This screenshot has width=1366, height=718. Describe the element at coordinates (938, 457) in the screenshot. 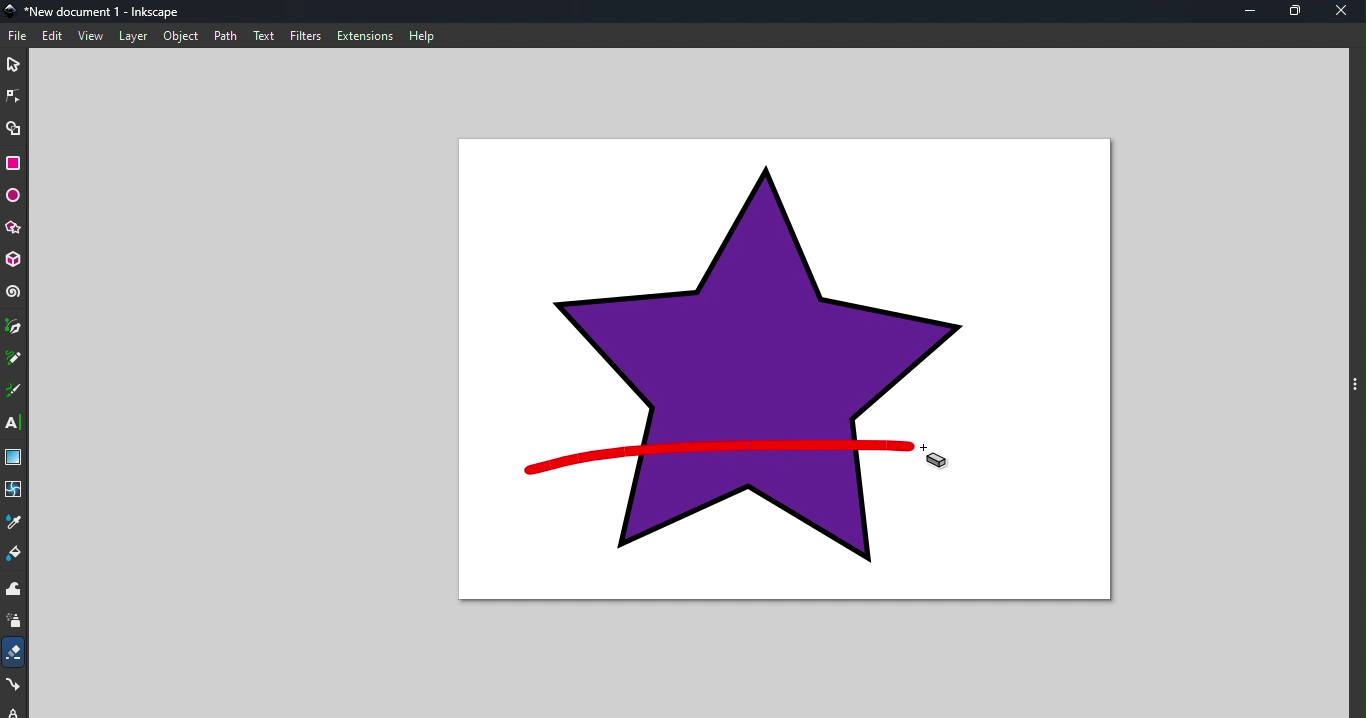

I see `cursor` at that location.